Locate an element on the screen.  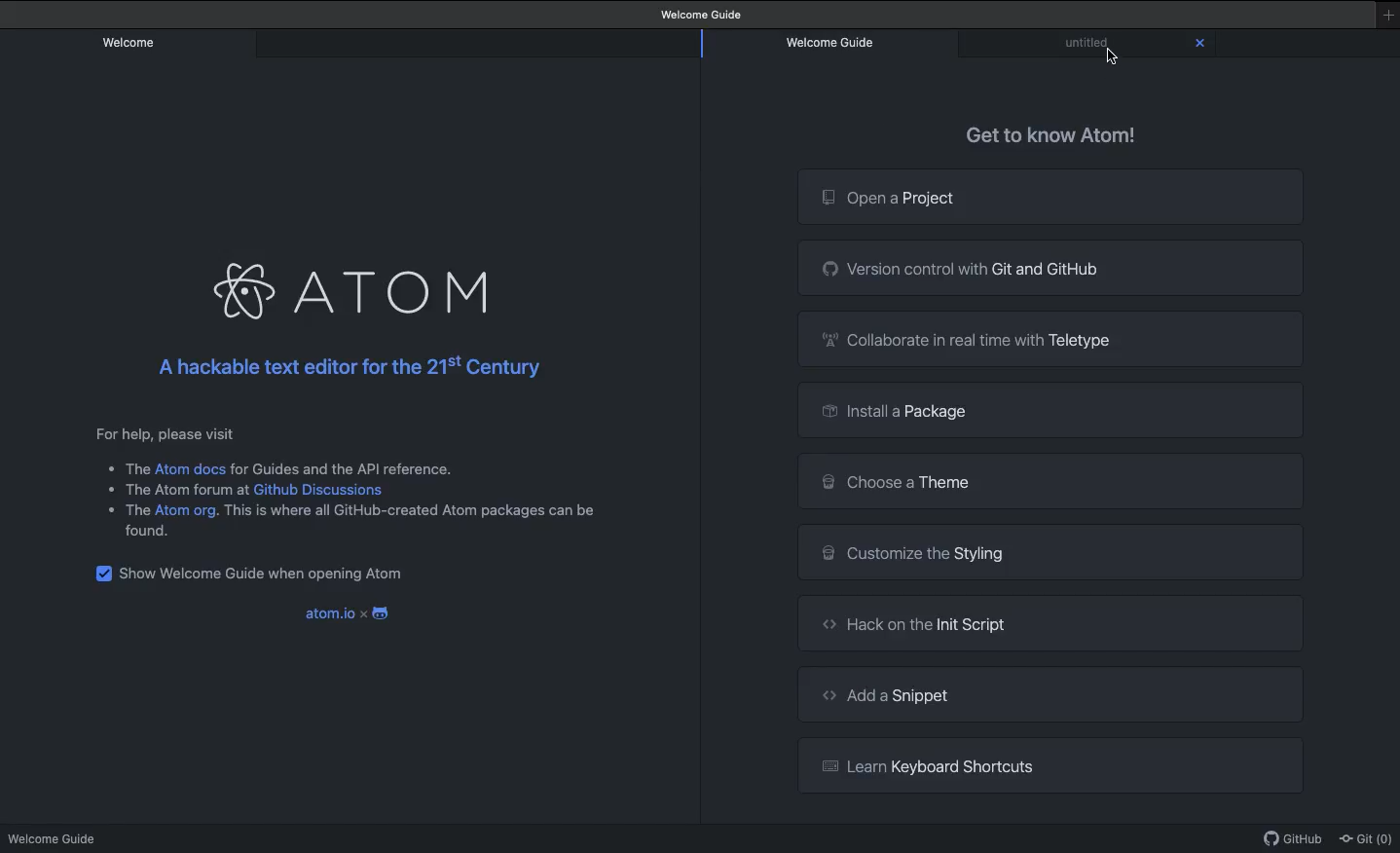
Close is located at coordinates (1200, 44).